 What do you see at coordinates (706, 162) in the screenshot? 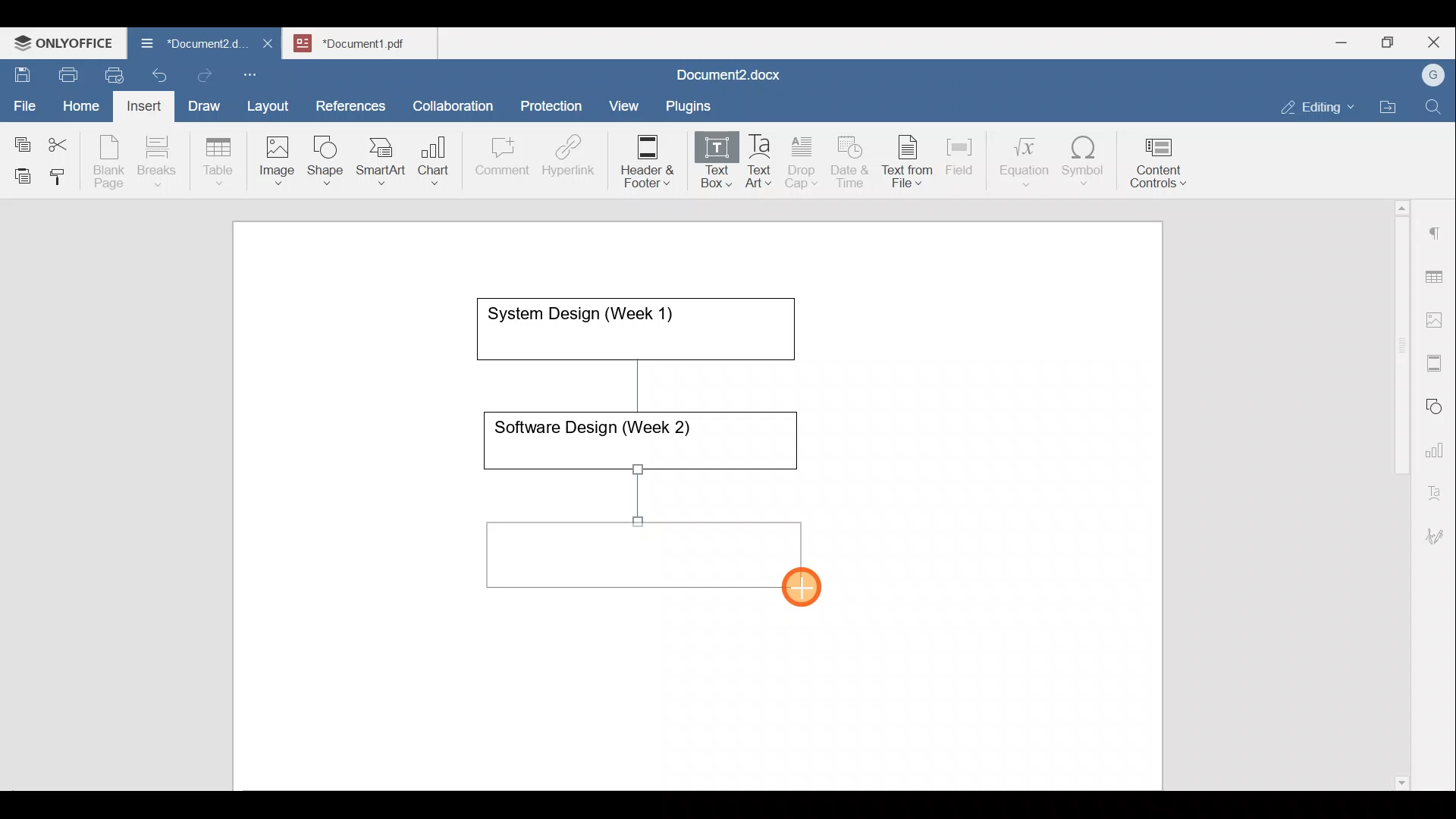
I see `Text box` at bounding box center [706, 162].